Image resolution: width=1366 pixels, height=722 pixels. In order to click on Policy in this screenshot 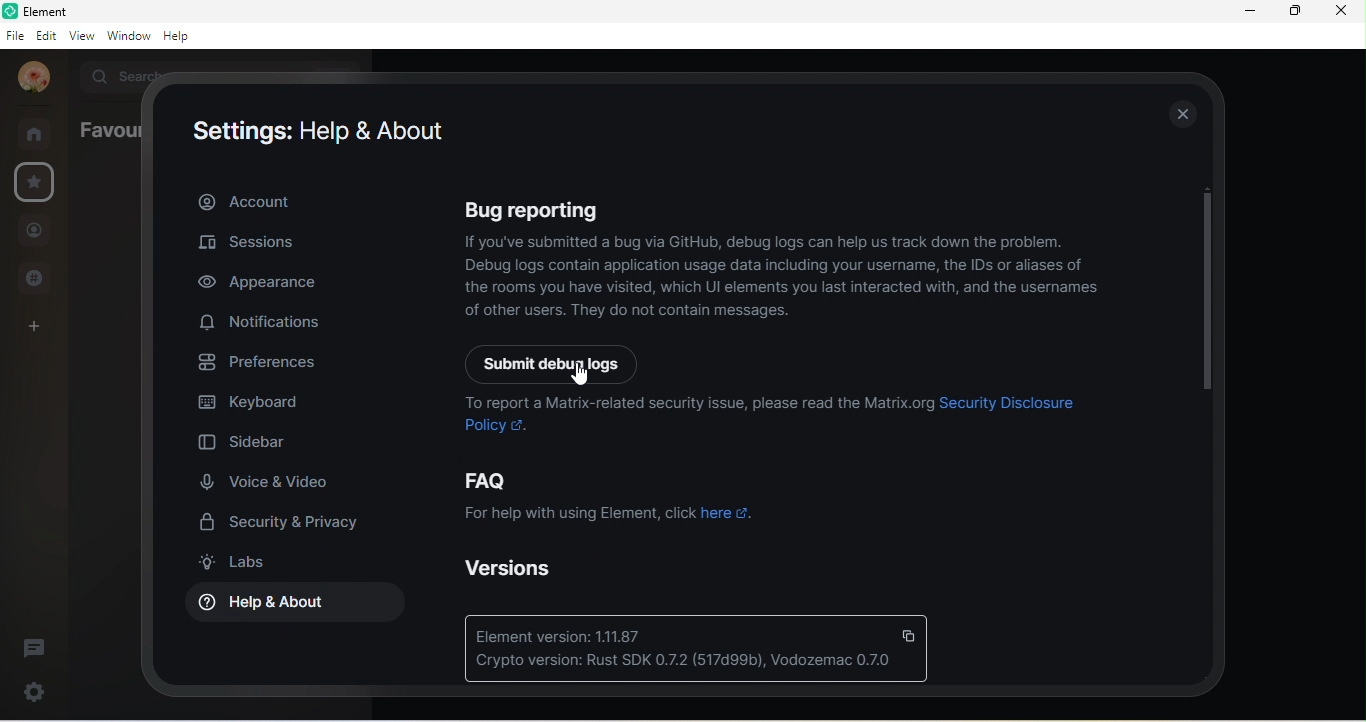, I will do `click(494, 426)`.